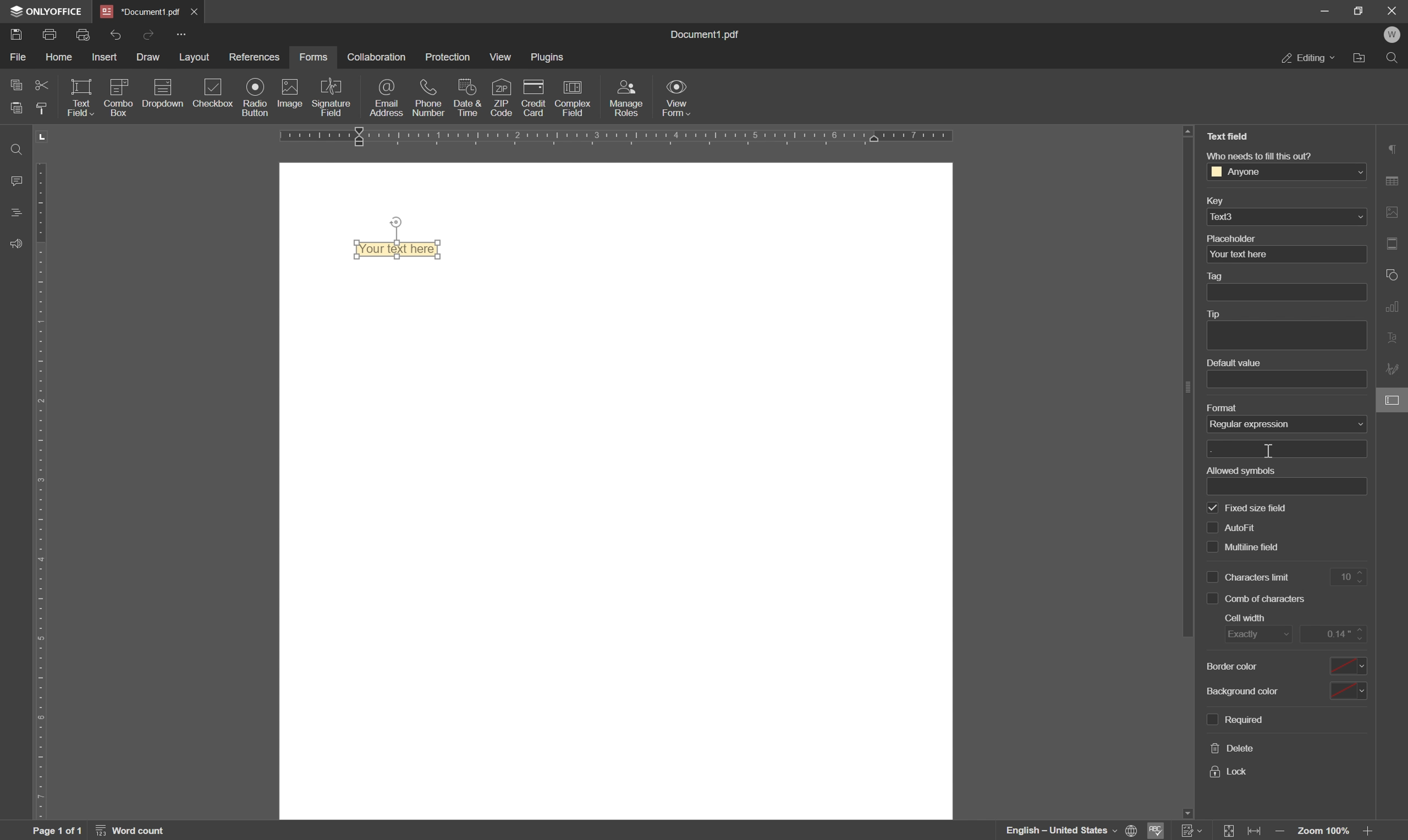 The height and width of the screenshot is (840, 1408). Describe the element at coordinates (1395, 212) in the screenshot. I see `image settings` at that location.